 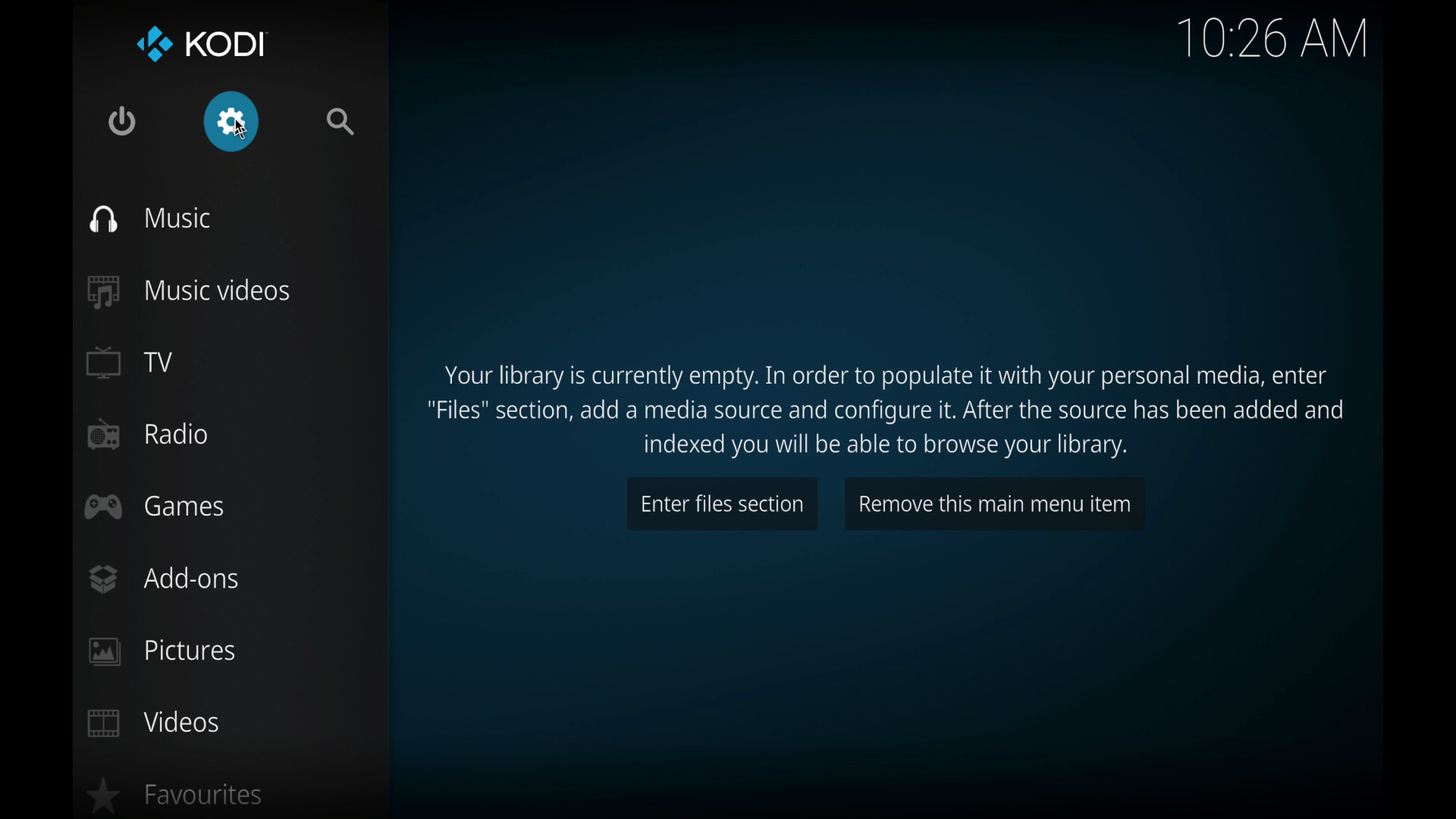 I want to click on settings, so click(x=232, y=122).